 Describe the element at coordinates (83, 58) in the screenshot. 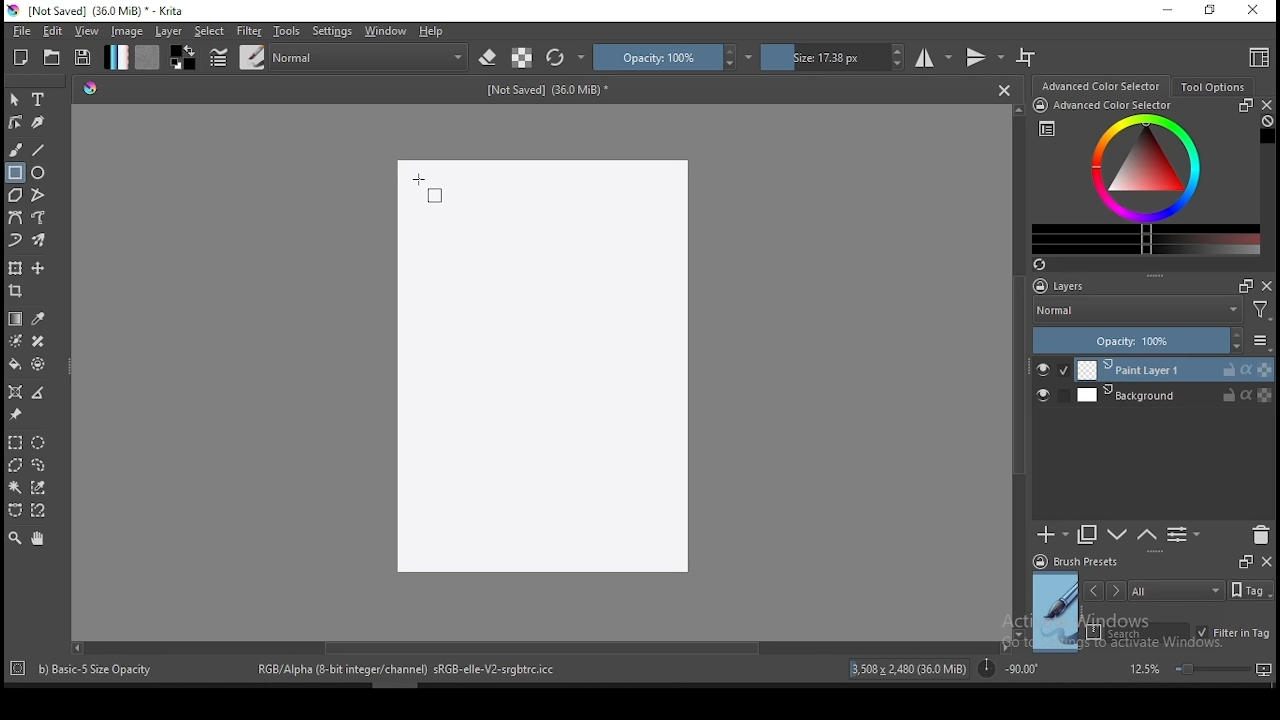

I see `save` at that location.